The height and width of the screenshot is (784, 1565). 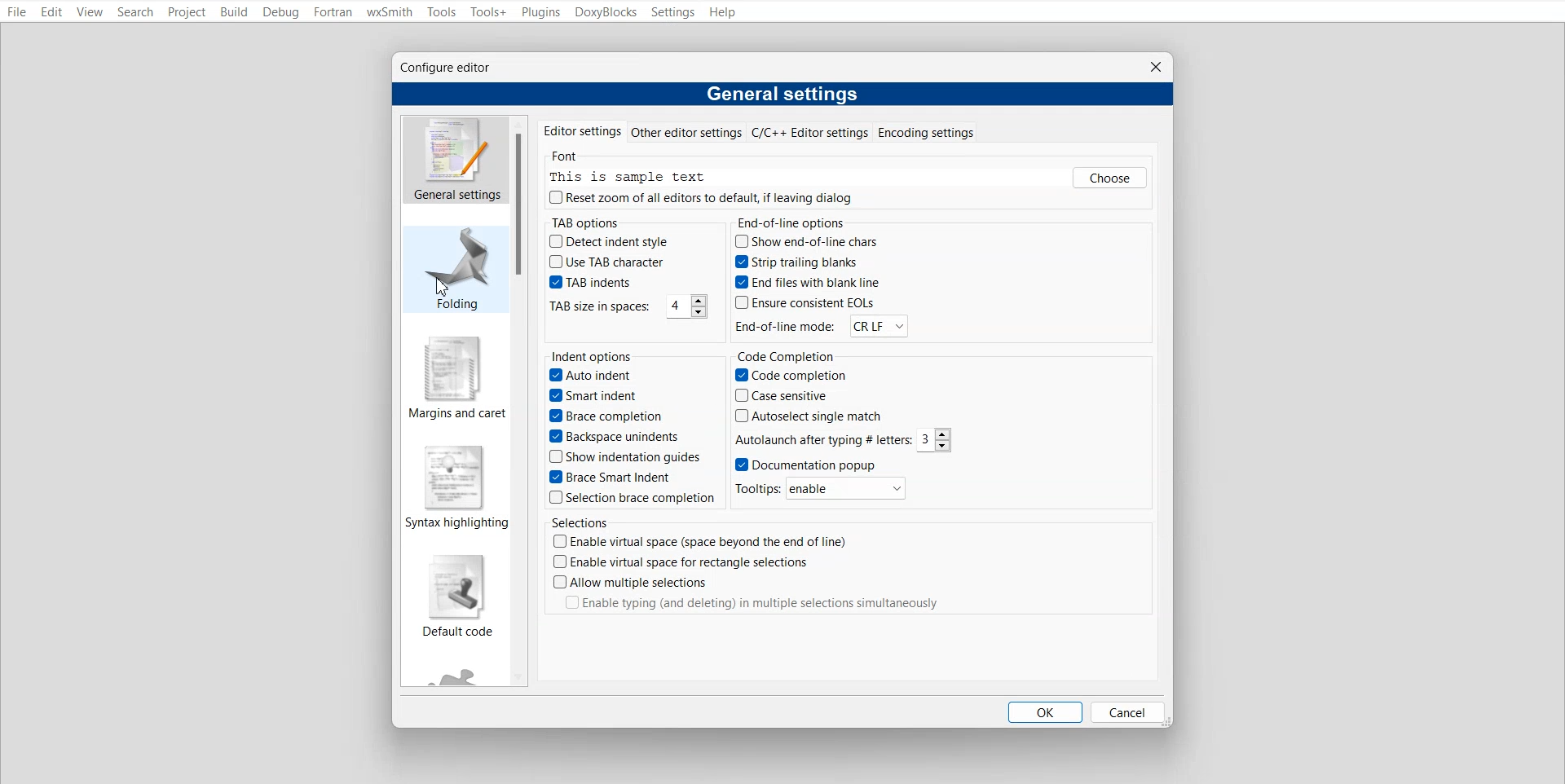 I want to click on |_| Enable typing (and deleting) in multiple selections simultaneously, so click(x=765, y=605).